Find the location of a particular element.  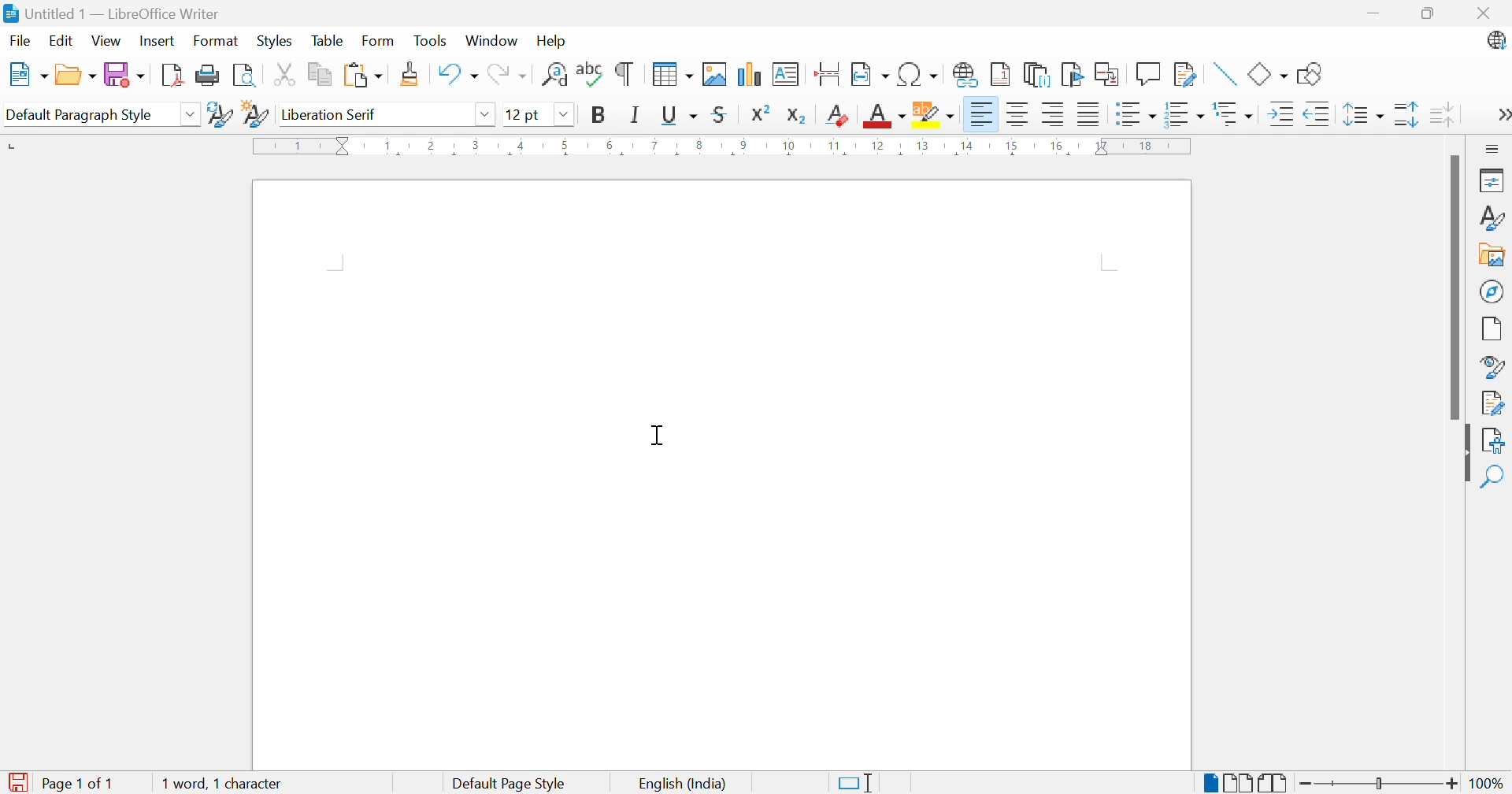

Book view is located at coordinates (1274, 783).